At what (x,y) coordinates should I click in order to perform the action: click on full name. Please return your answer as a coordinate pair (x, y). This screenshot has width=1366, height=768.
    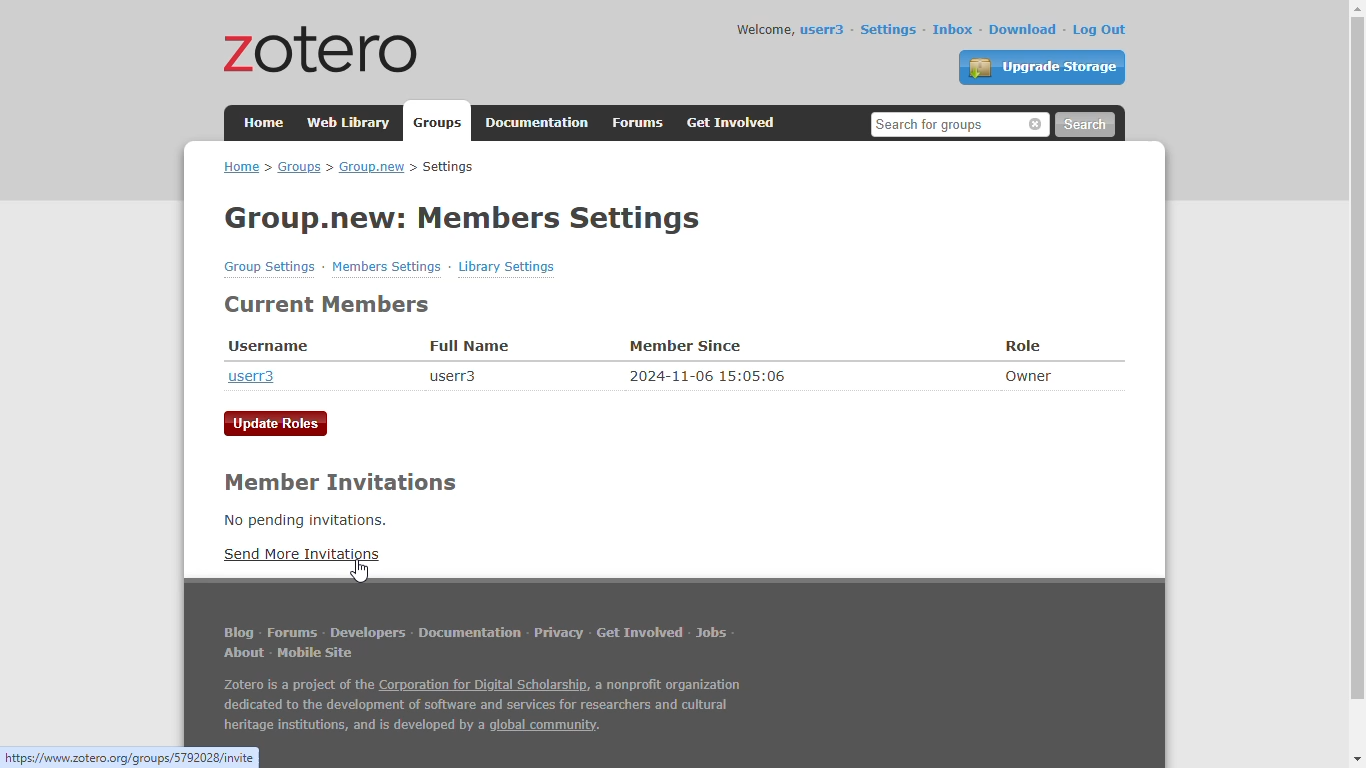
    Looking at the image, I should click on (468, 346).